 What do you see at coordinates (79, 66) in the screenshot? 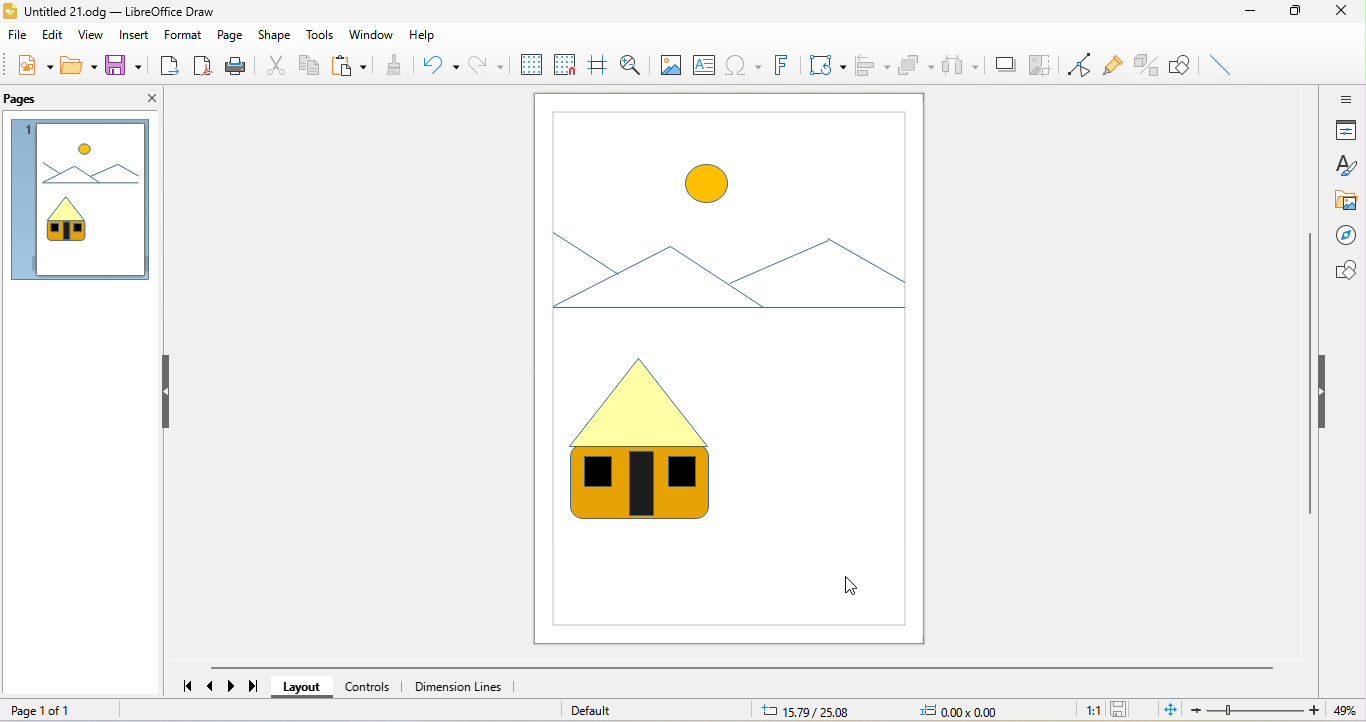
I see `open` at bounding box center [79, 66].